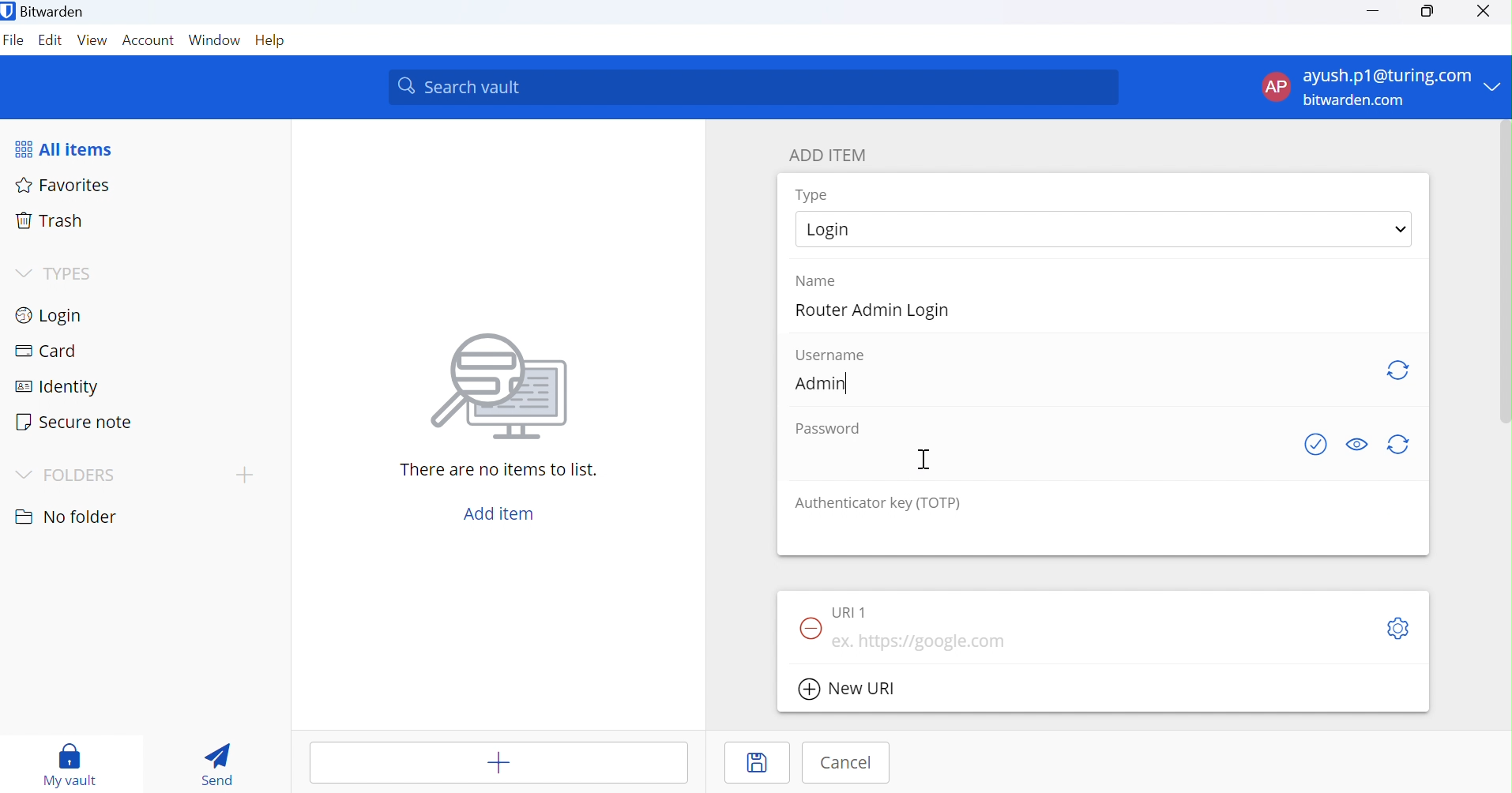  What do you see at coordinates (1104, 534) in the screenshot?
I see `add authenticator key (TOTP)` at bounding box center [1104, 534].